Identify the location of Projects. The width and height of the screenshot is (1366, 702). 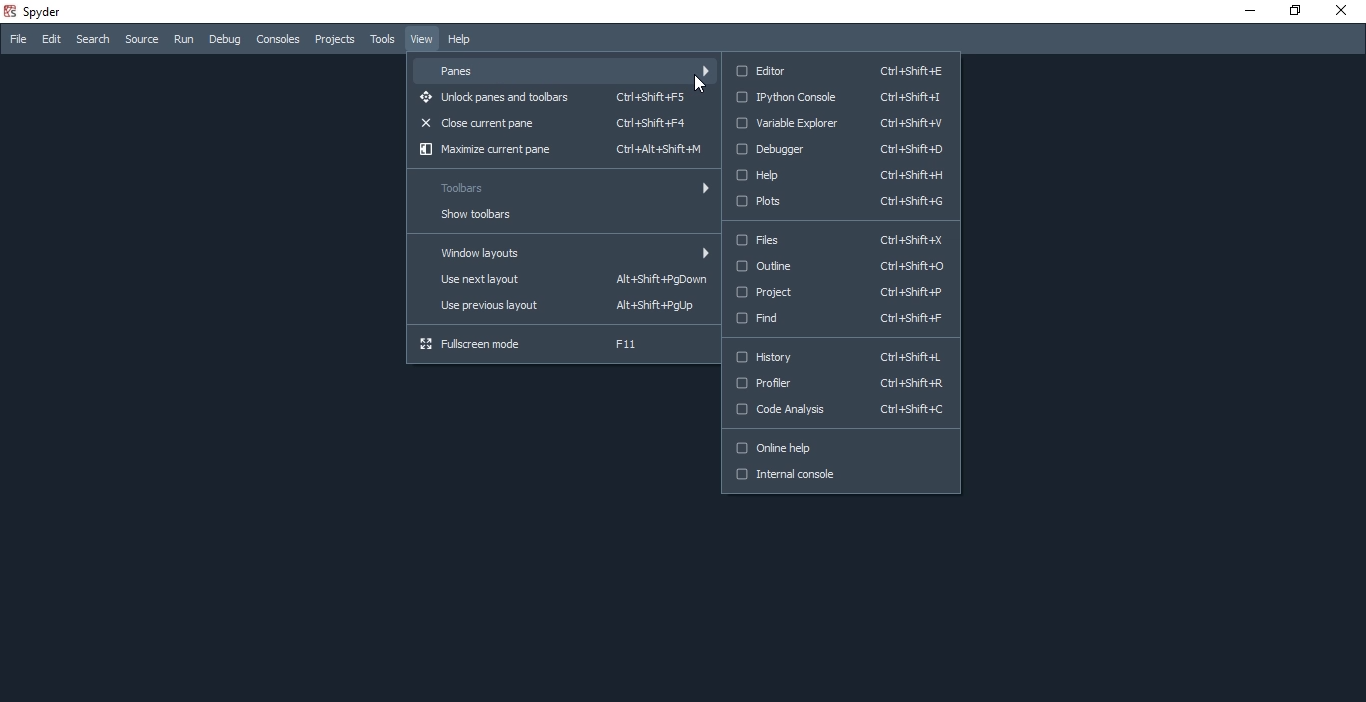
(335, 38).